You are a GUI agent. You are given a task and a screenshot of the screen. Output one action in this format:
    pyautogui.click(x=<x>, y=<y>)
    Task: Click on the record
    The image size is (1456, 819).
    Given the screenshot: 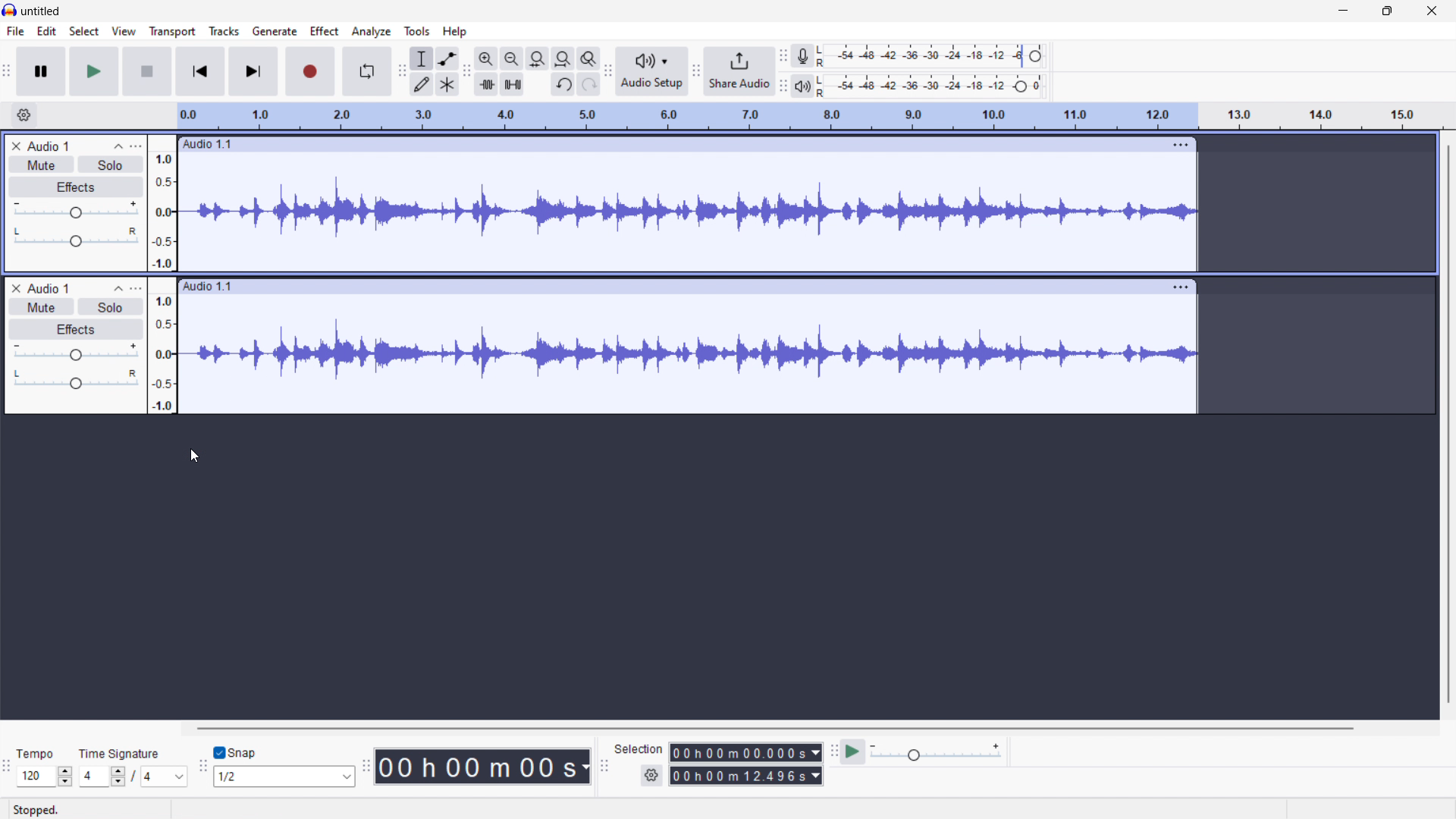 What is the action you would take?
    pyautogui.click(x=310, y=72)
    